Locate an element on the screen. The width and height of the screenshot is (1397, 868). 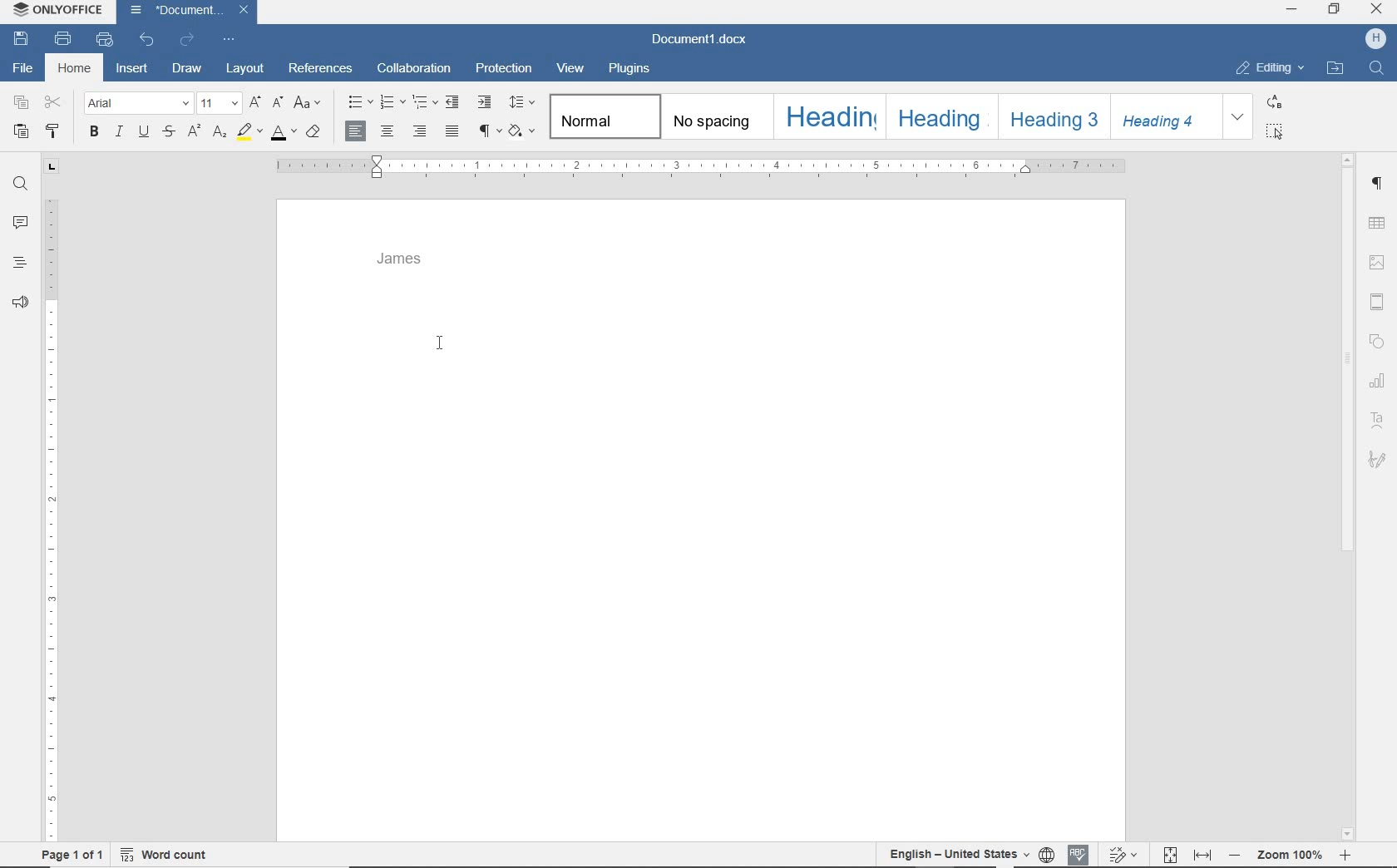
page 1 of 1 is located at coordinates (75, 856).